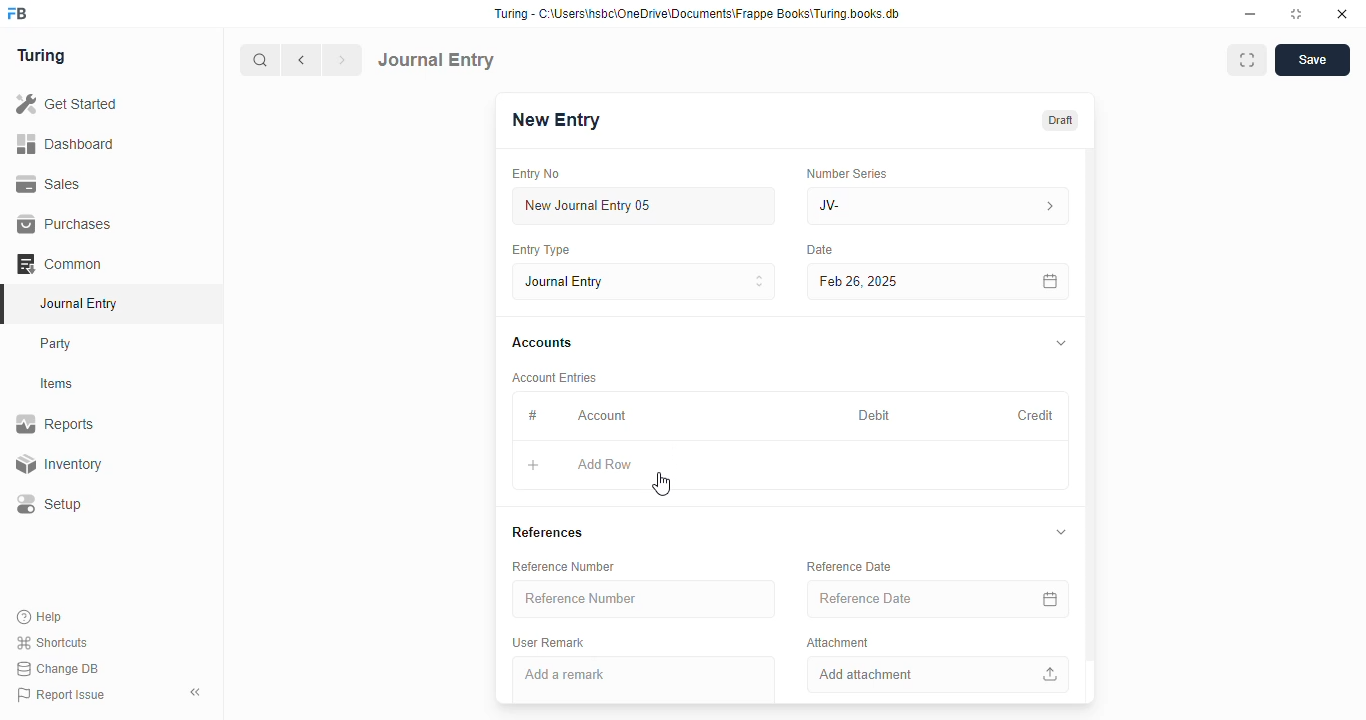 The width and height of the screenshot is (1366, 720). What do you see at coordinates (56, 424) in the screenshot?
I see `reports` at bounding box center [56, 424].